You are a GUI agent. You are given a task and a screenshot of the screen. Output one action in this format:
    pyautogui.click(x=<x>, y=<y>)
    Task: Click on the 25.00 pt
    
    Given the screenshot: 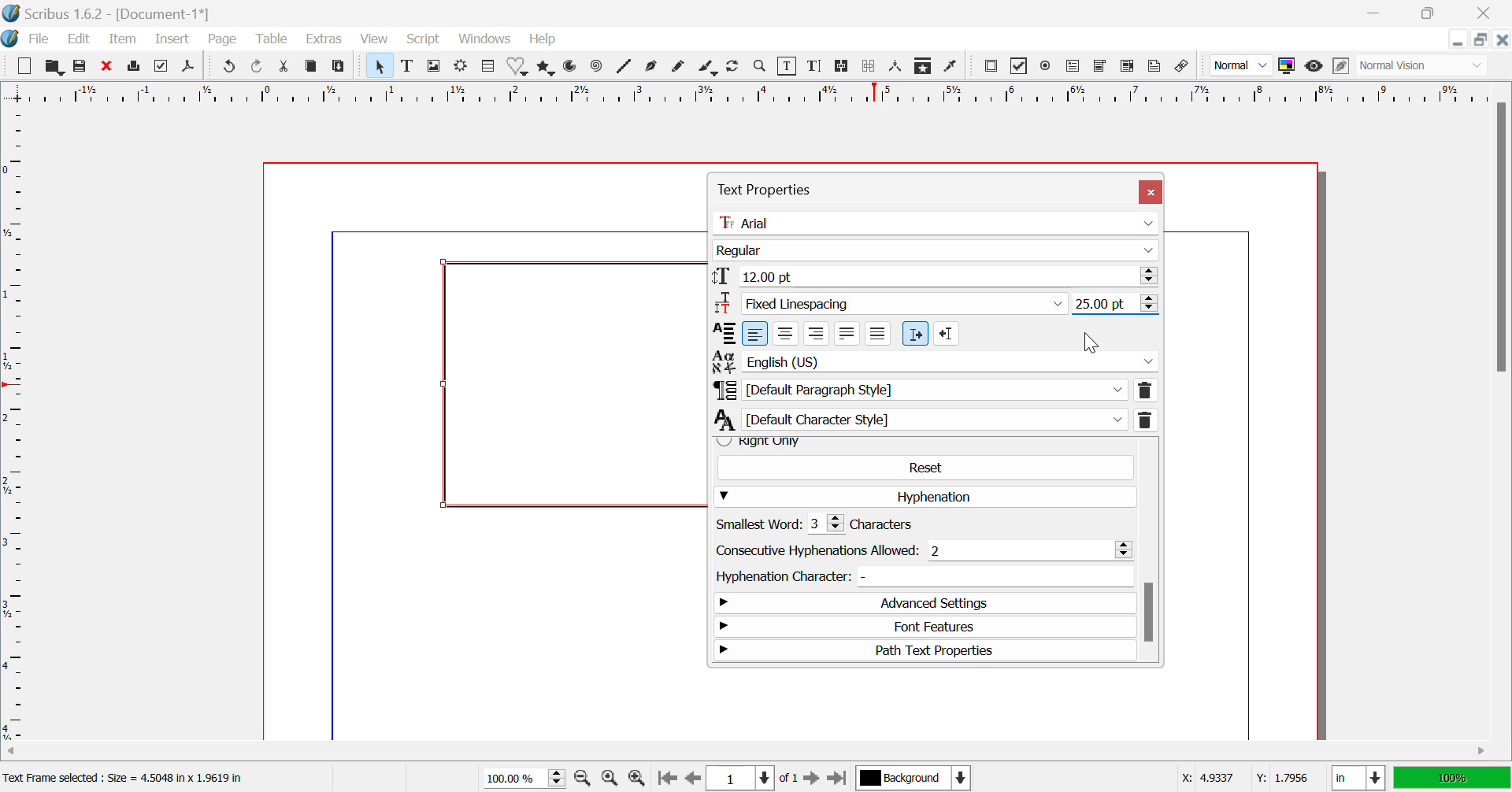 What is the action you would take?
    pyautogui.click(x=1116, y=305)
    